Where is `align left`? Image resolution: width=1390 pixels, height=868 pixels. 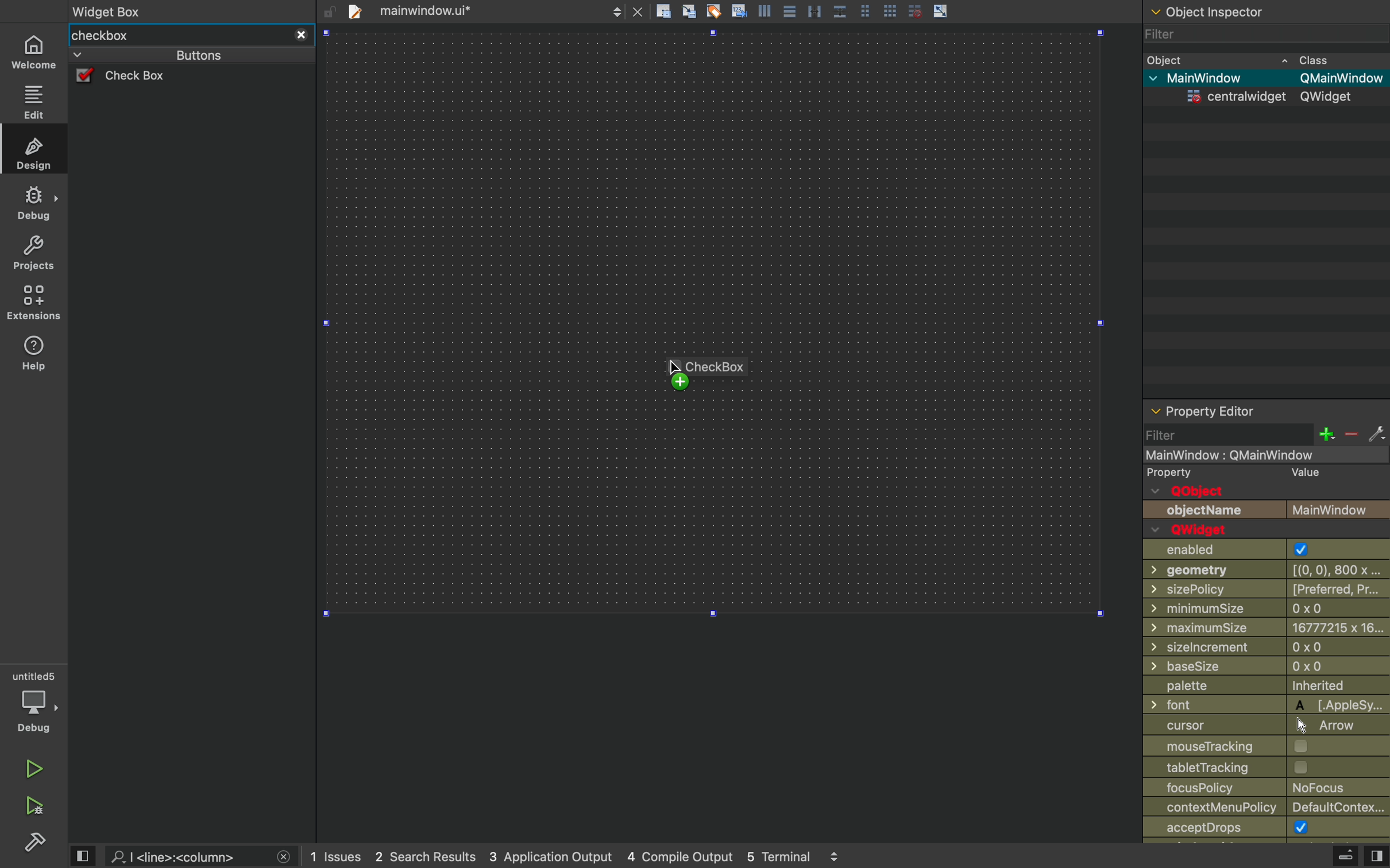 align left is located at coordinates (764, 10).